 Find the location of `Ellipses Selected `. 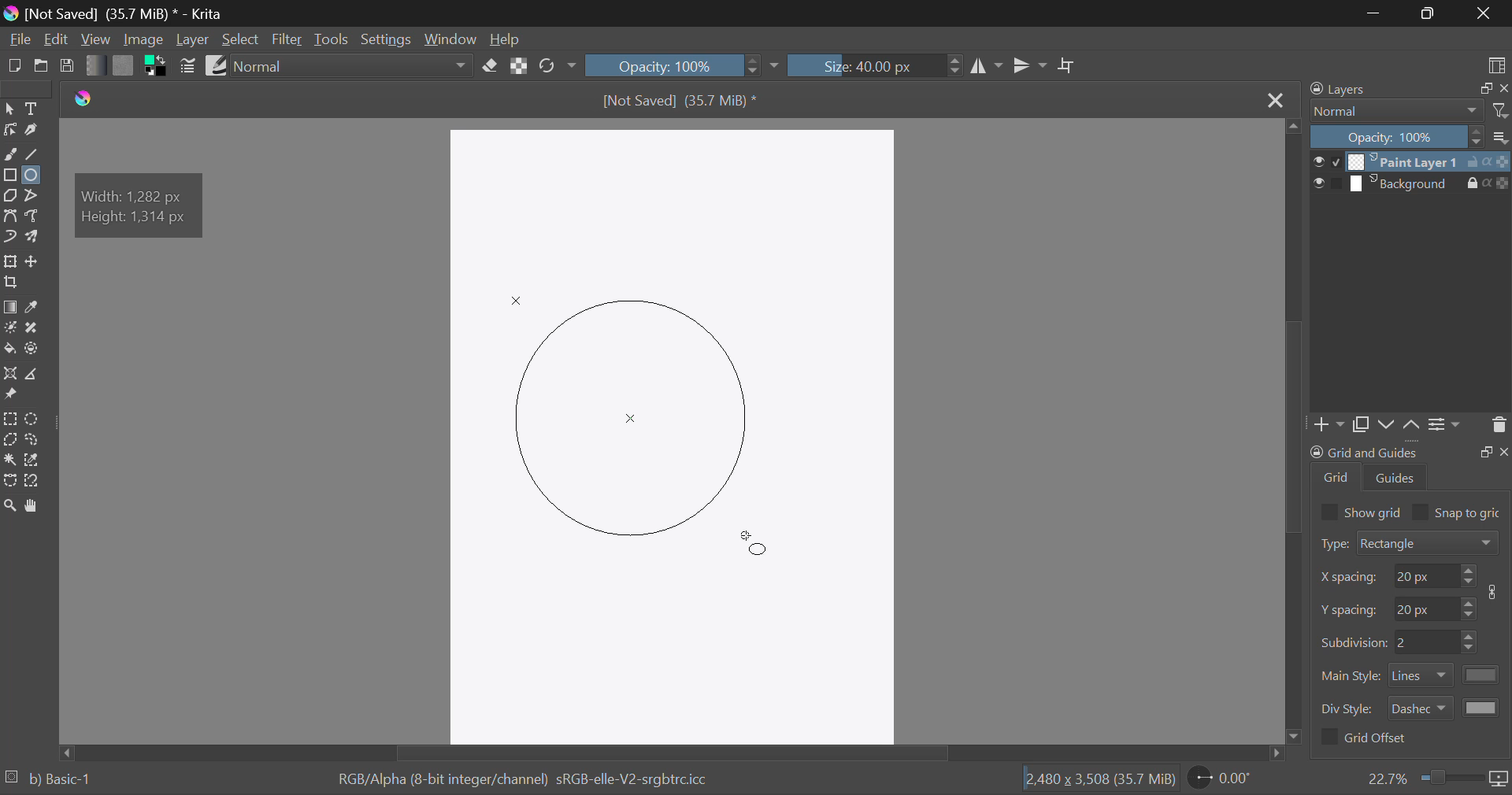

Ellipses Selected  is located at coordinates (31, 175).